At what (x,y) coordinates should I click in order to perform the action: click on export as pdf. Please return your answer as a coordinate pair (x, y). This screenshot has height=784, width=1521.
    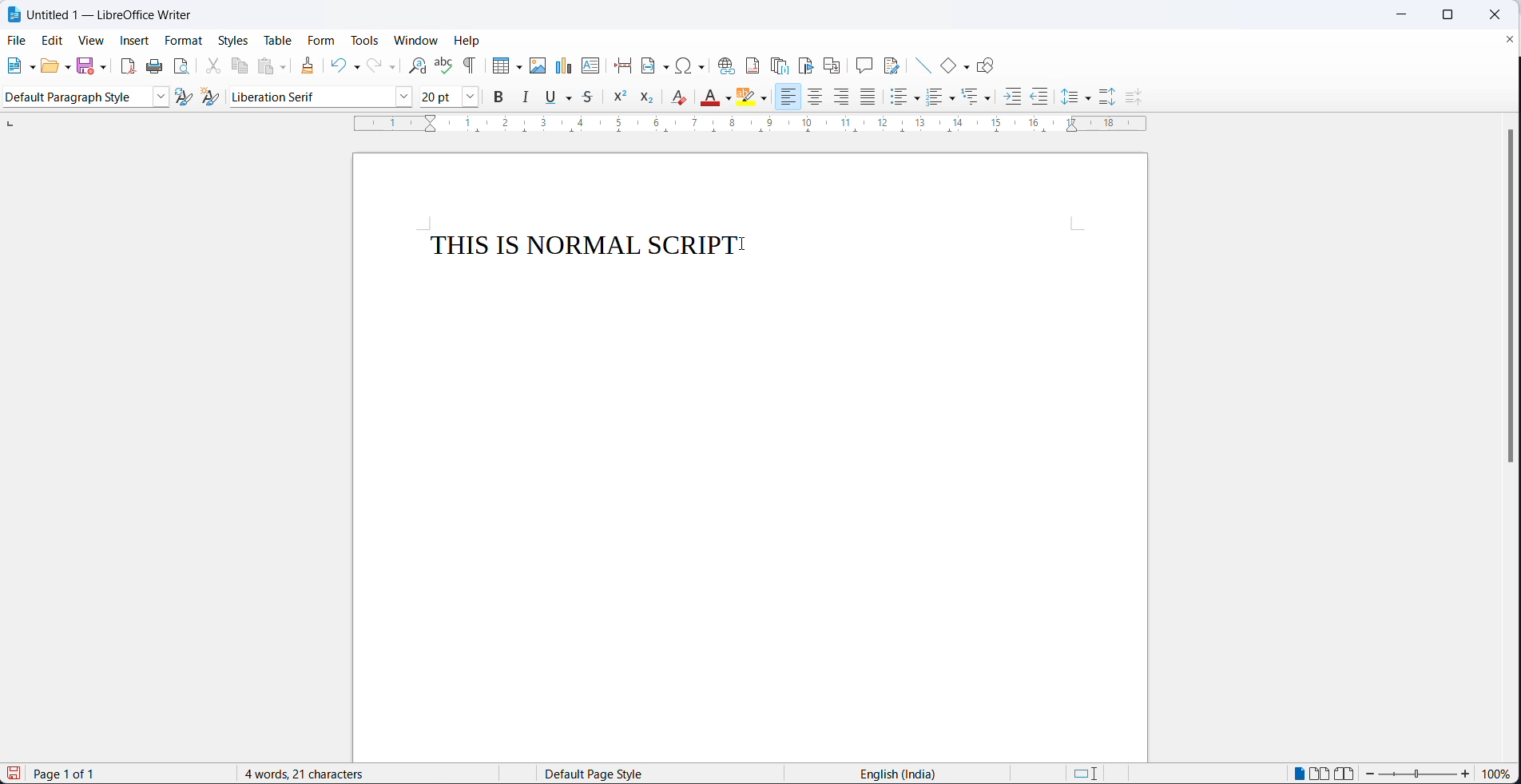
    Looking at the image, I should click on (127, 65).